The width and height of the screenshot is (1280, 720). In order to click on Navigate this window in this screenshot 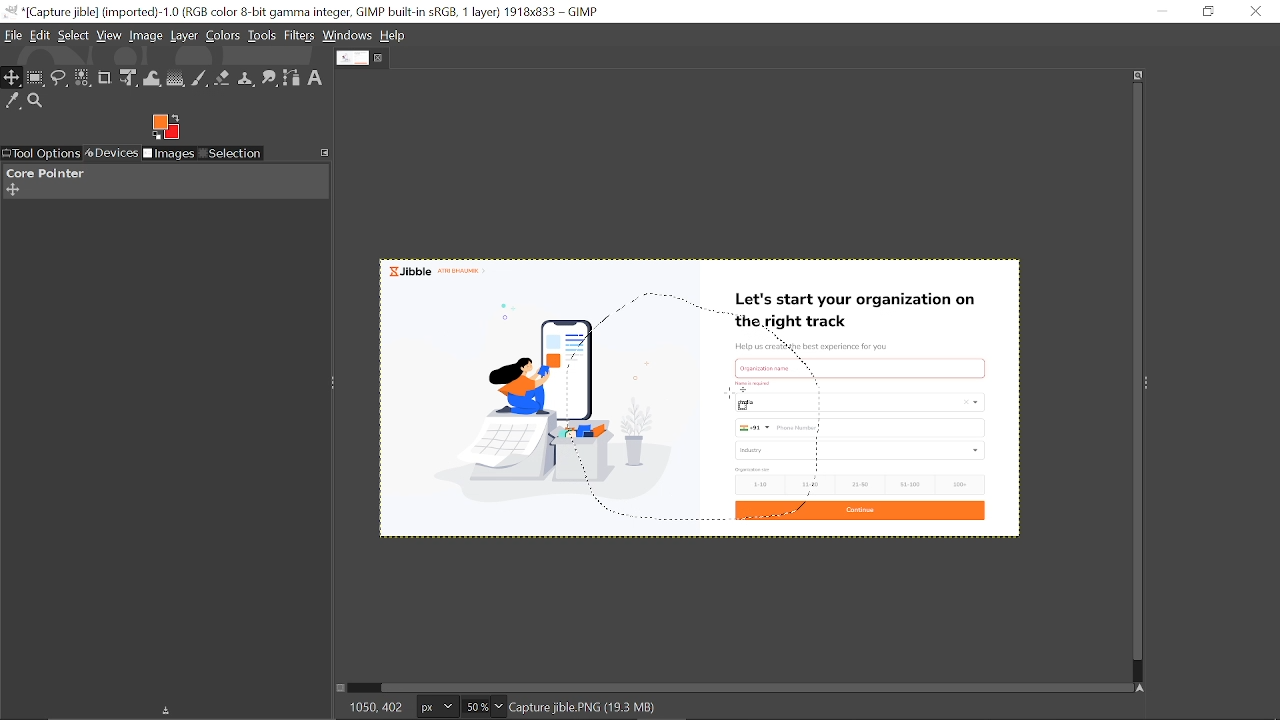, I will do `click(1144, 688)`.